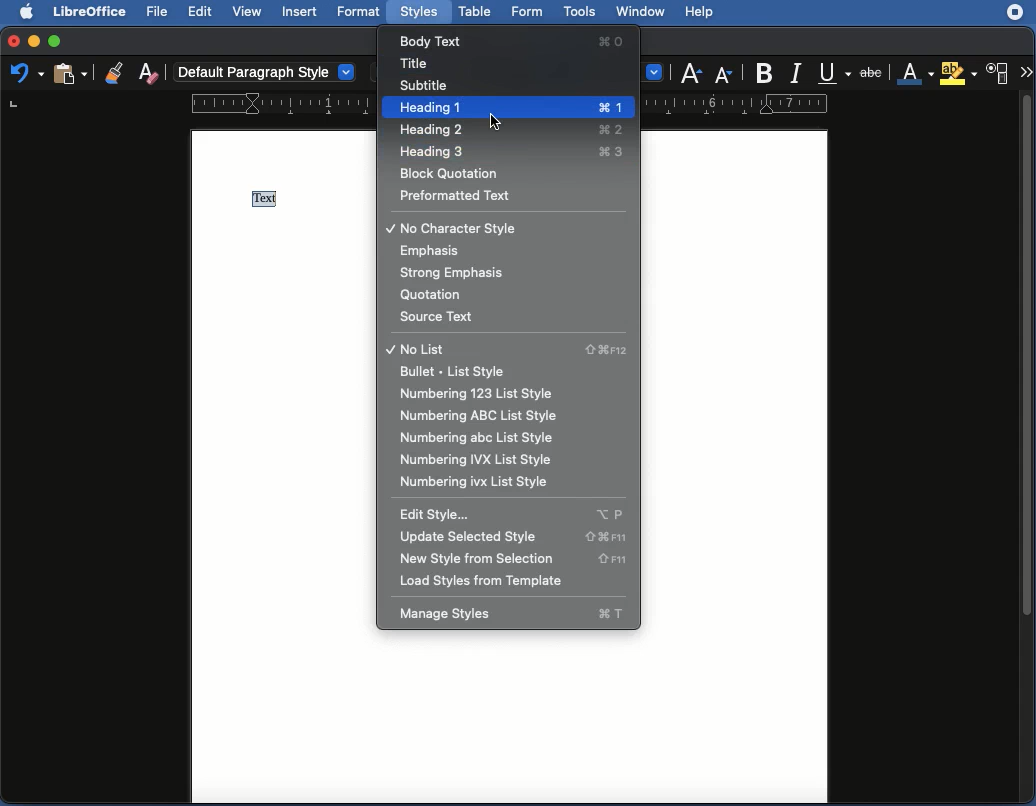  Describe the element at coordinates (486, 416) in the screenshot. I see `Numbering ABC list style` at that location.